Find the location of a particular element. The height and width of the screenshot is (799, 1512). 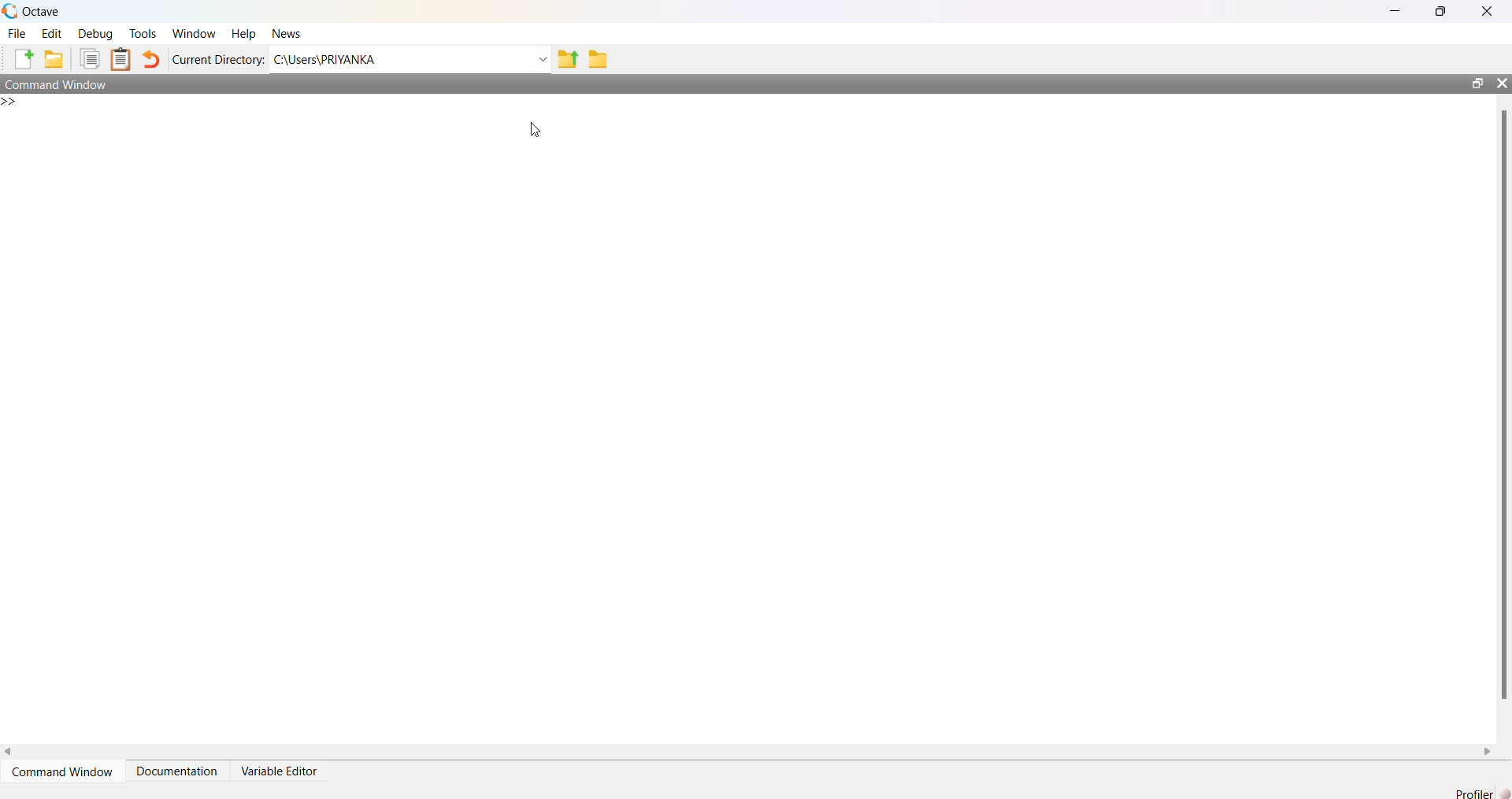

scroll bar is located at coordinates (1499, 407).